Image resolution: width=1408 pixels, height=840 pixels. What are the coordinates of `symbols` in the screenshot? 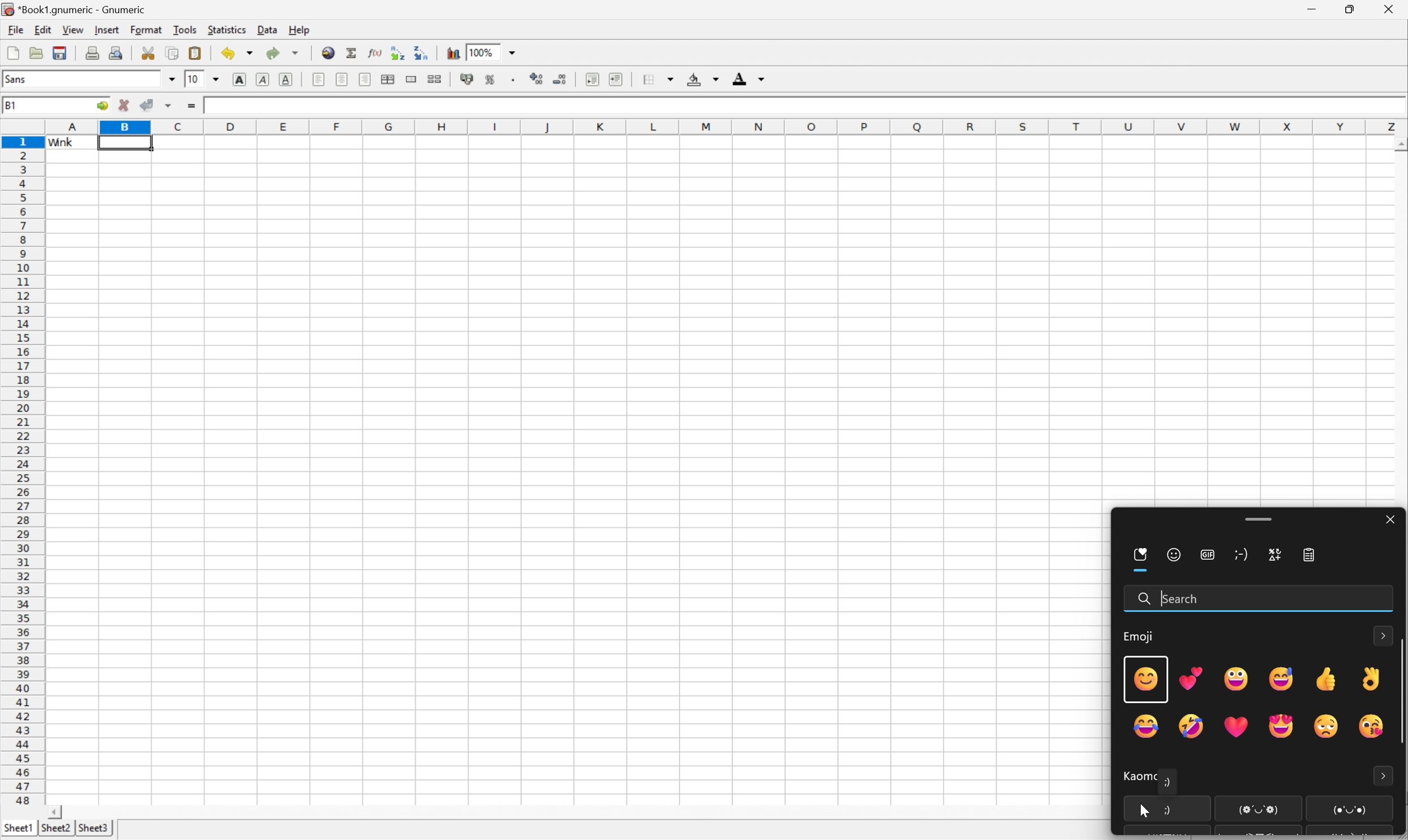 It's located at (1273, 556).